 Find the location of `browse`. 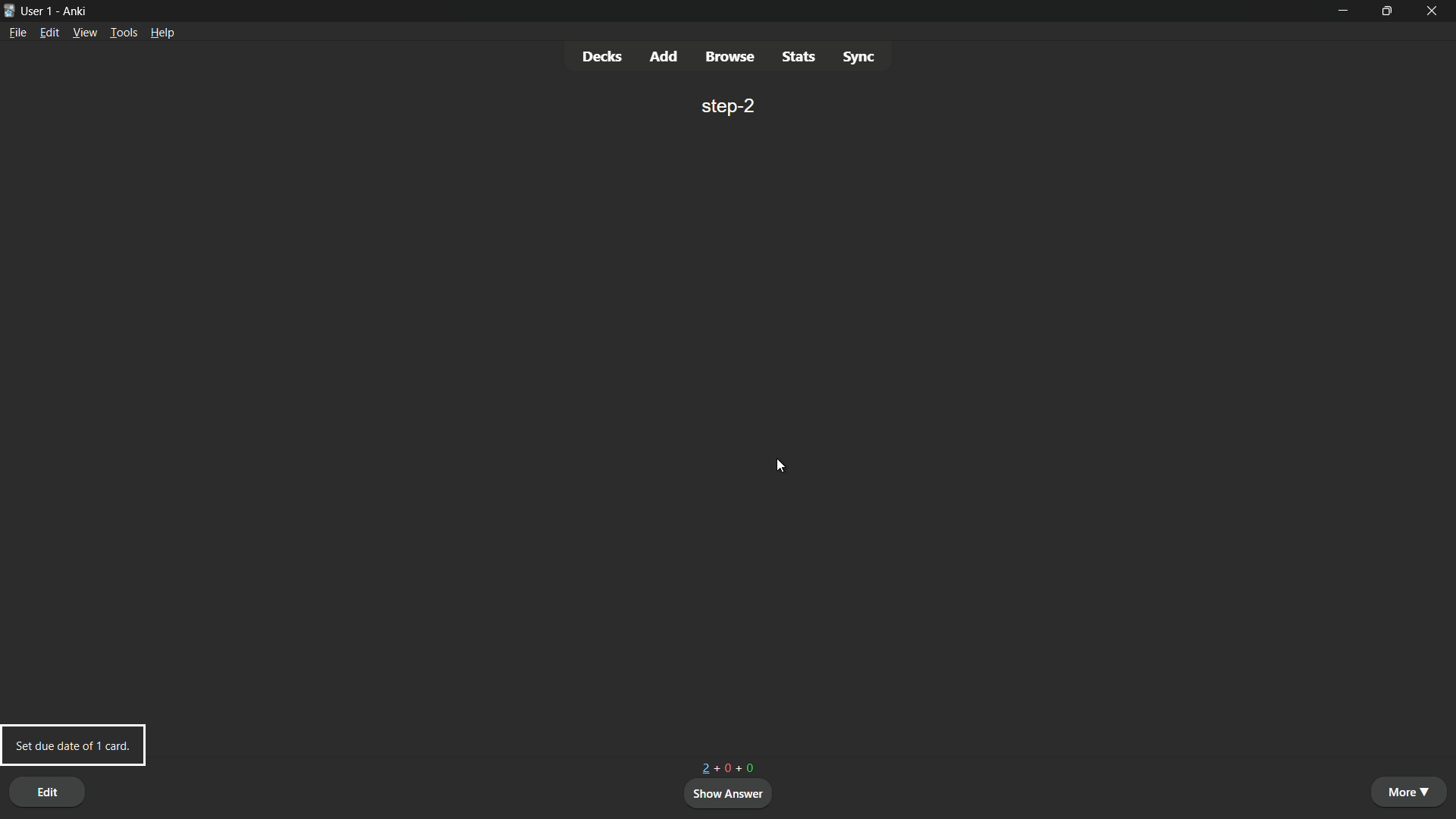

browse is located at coordinates (731, 57).